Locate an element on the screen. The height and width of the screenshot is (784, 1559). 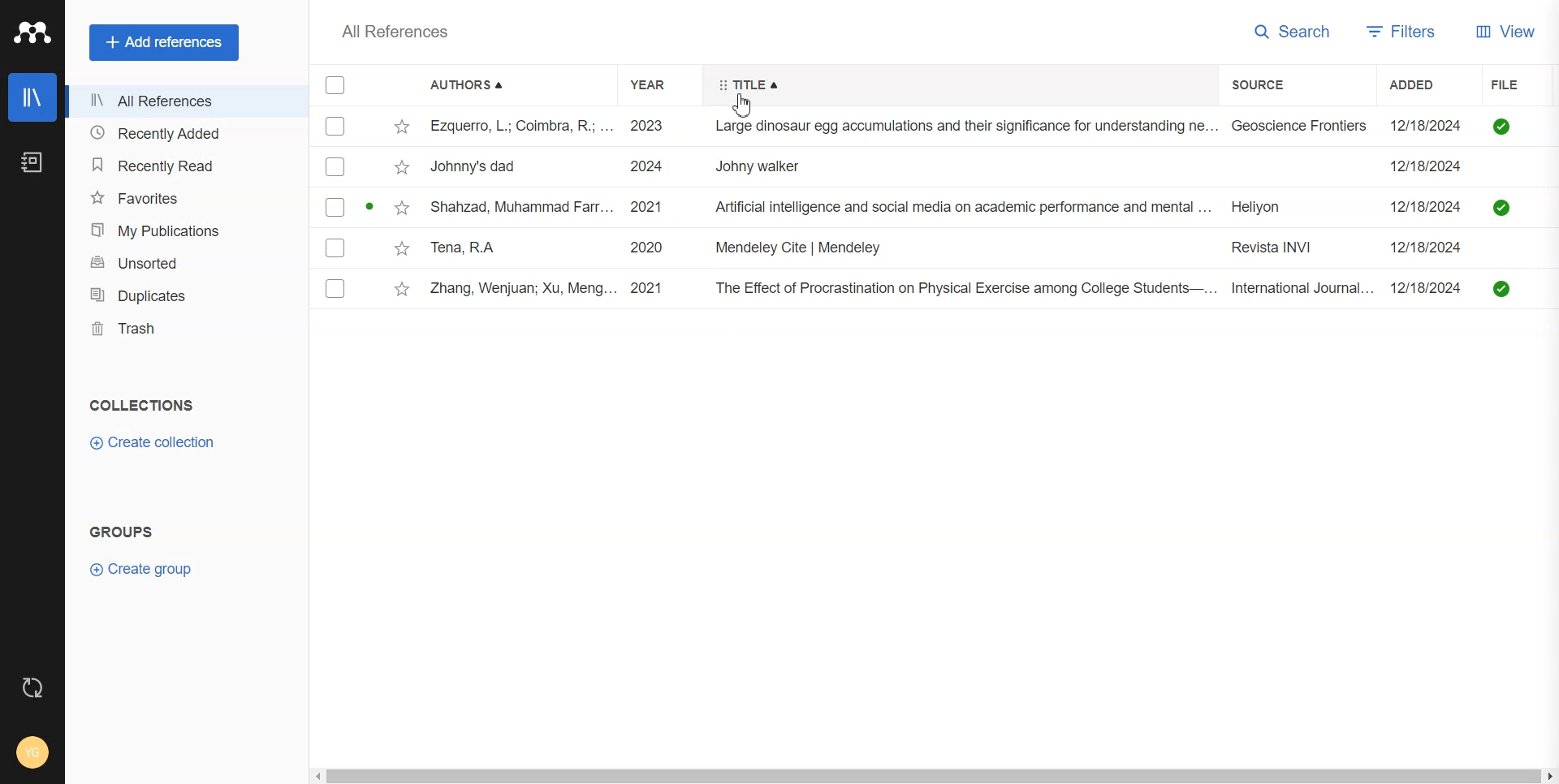
Logo is located at coordinates (31, 33).